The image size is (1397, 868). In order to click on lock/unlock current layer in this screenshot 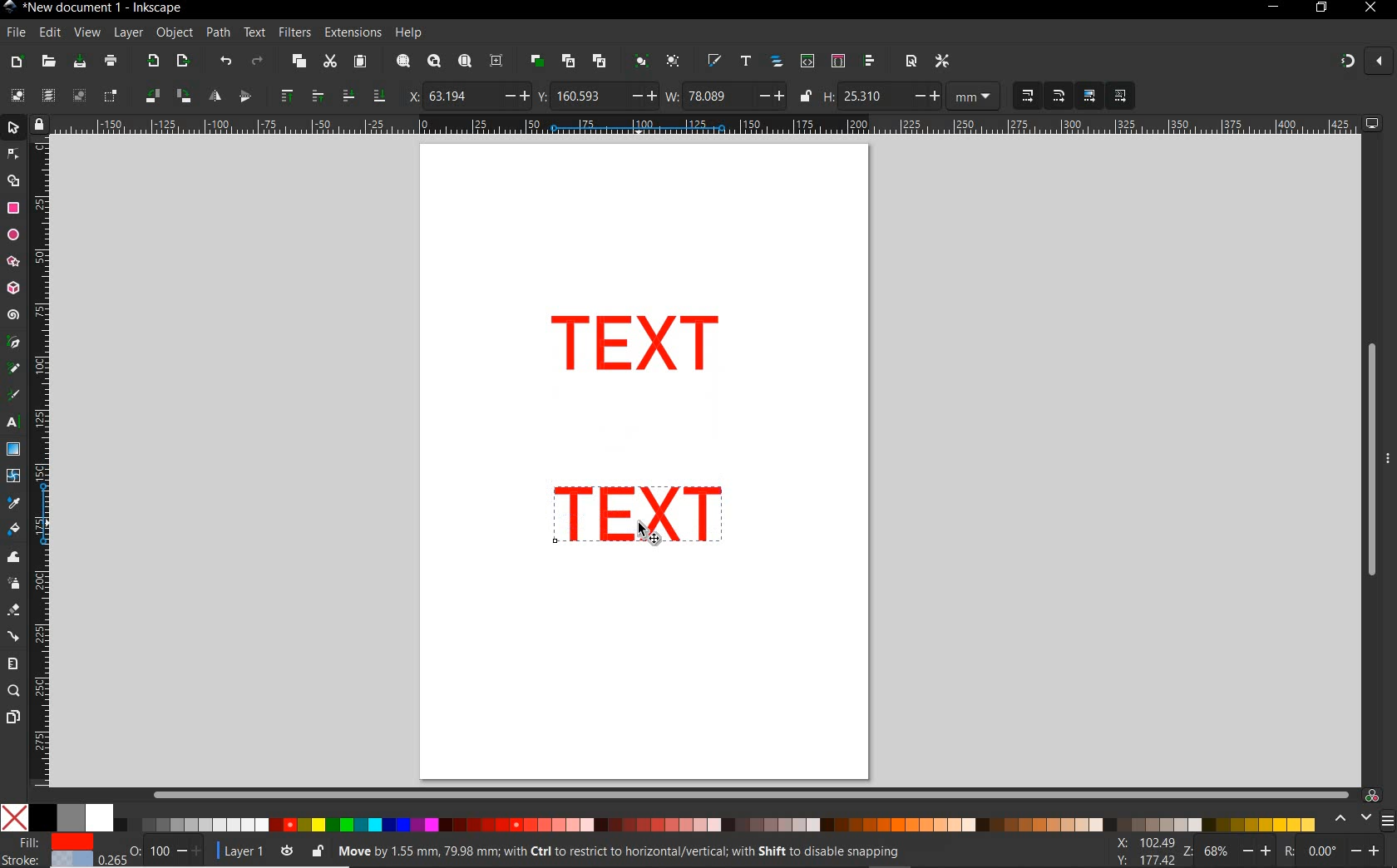, I will do `click(317, 850)`.